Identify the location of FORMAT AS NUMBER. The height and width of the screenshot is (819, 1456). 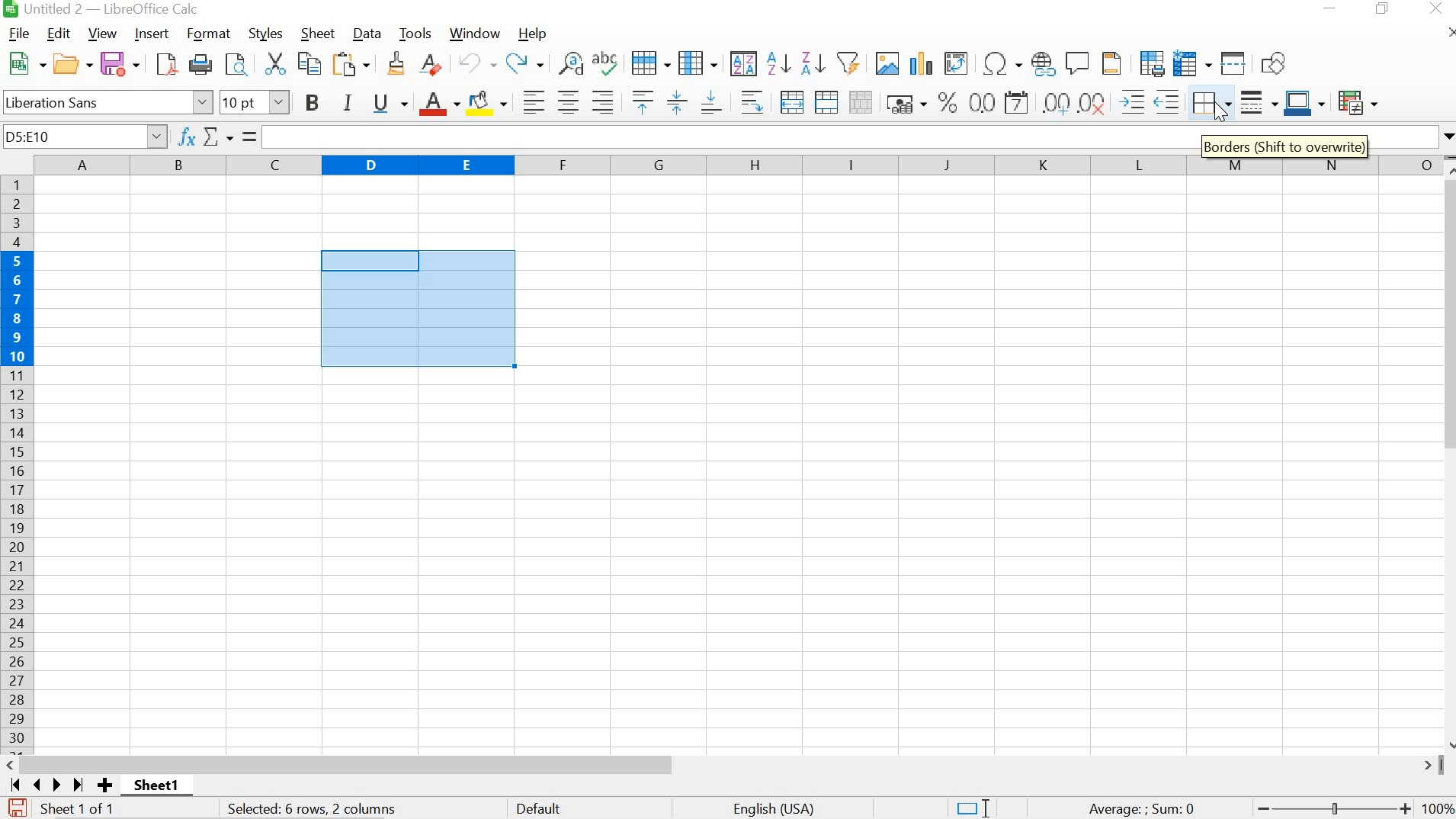
(980, 101).